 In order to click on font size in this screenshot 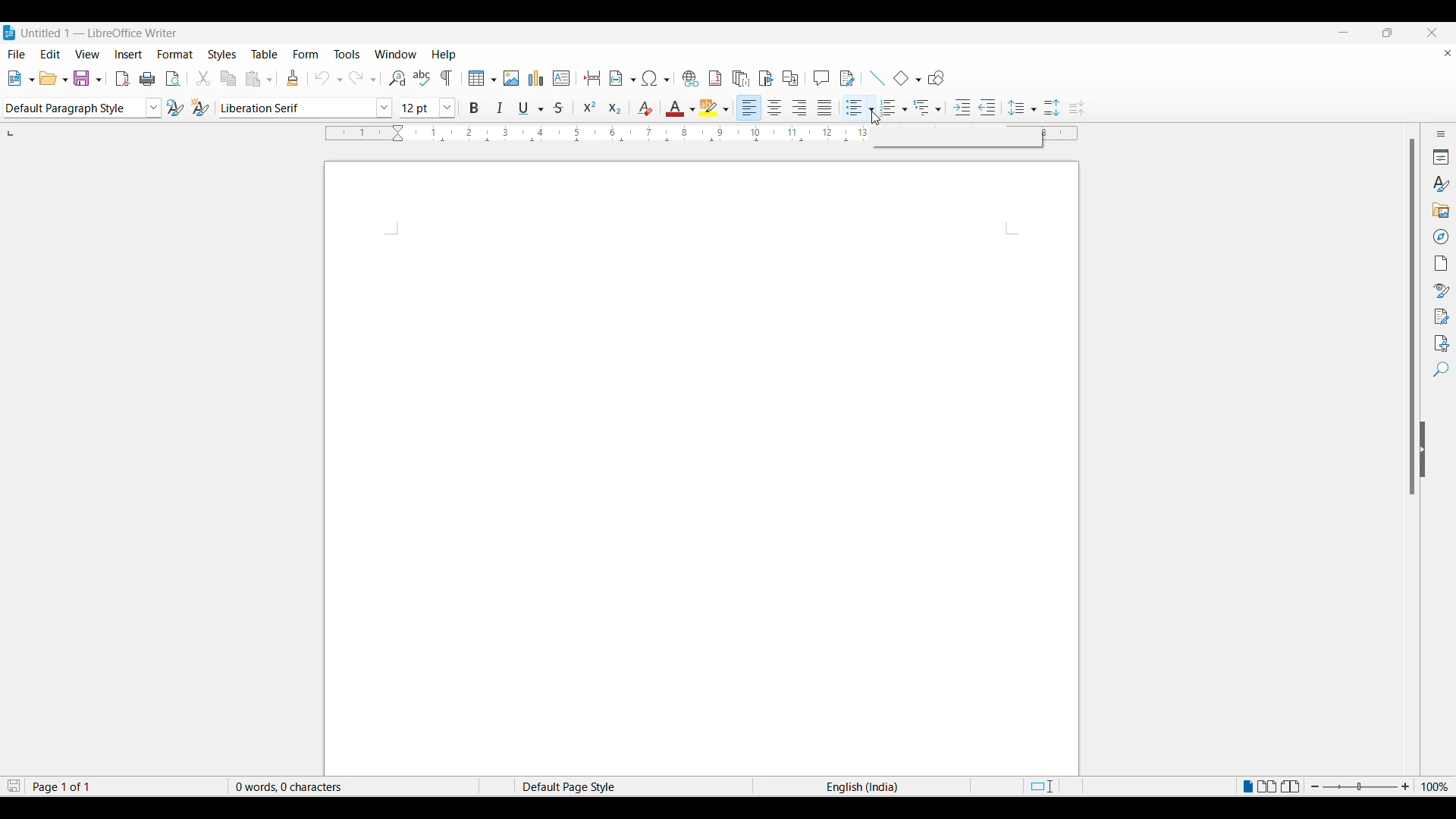, I will do `click(425, 108)`.